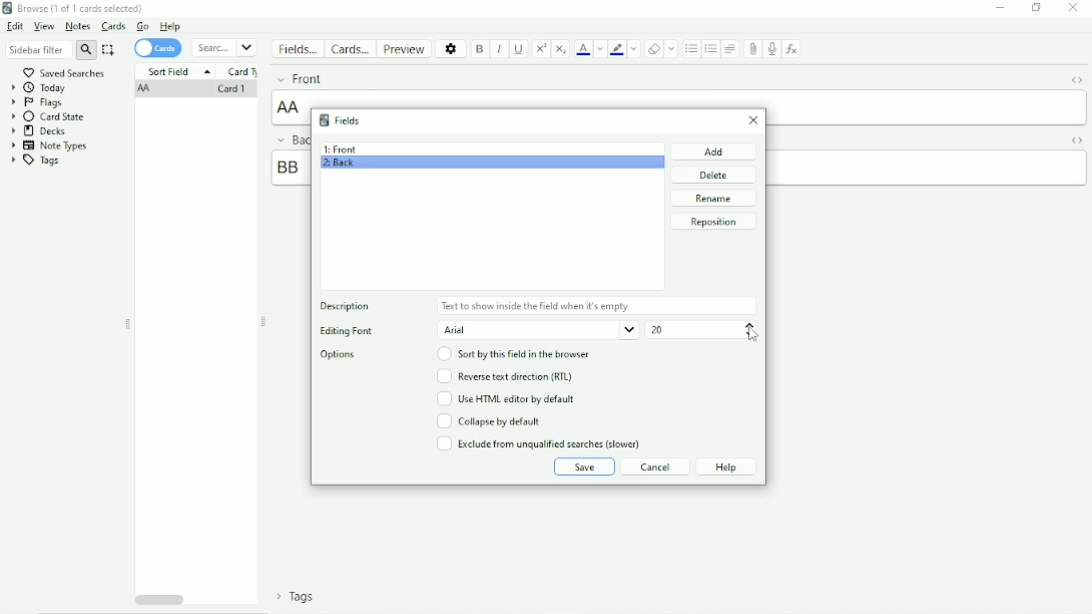 This screenshot has width=1092, height=614. What do you see at coordinates (178, 71) in the screenshot?
I see `Sort Field` at bounding box center [178, 71].